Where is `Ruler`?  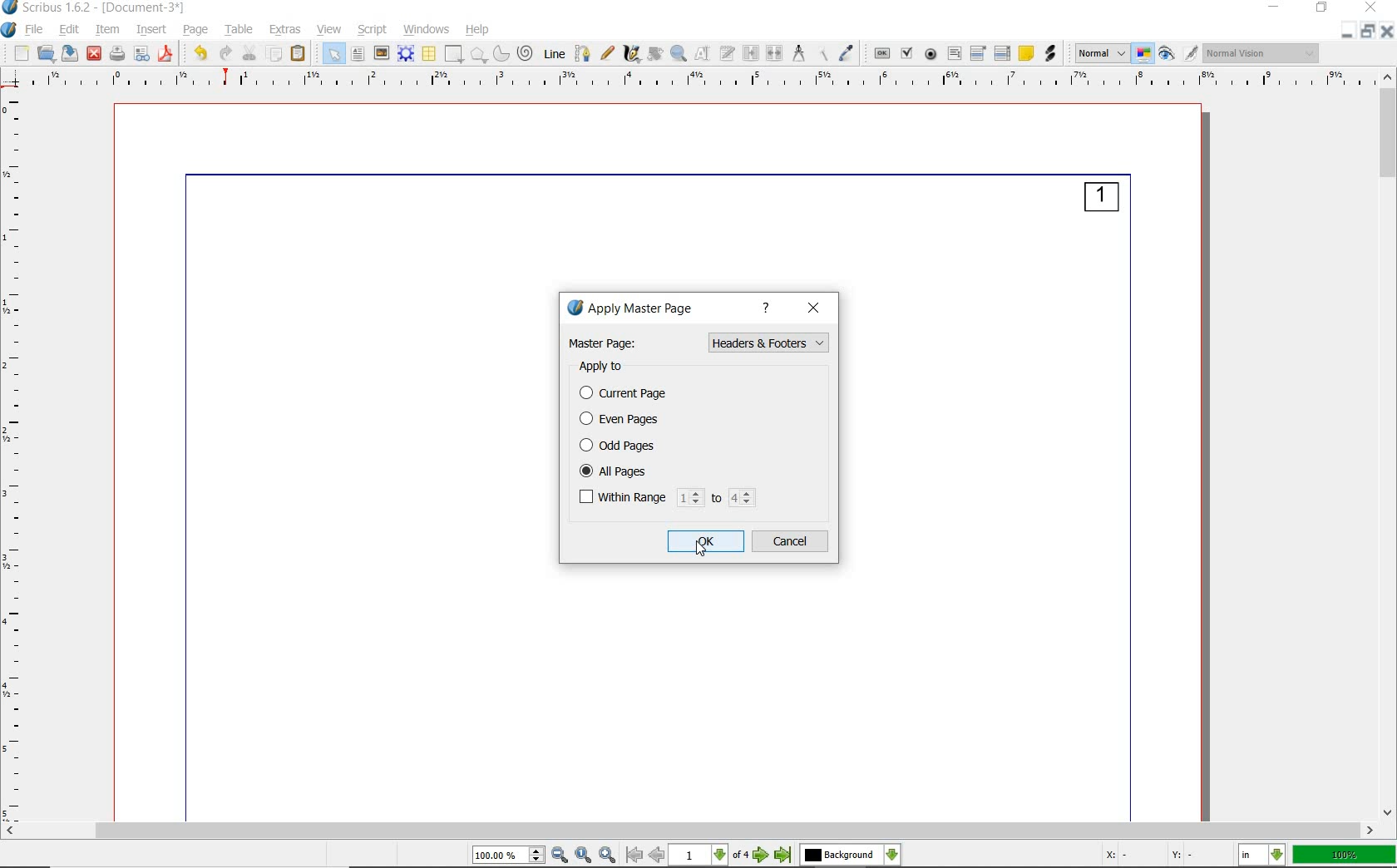 Ruler is located at coordinates (704, 81).